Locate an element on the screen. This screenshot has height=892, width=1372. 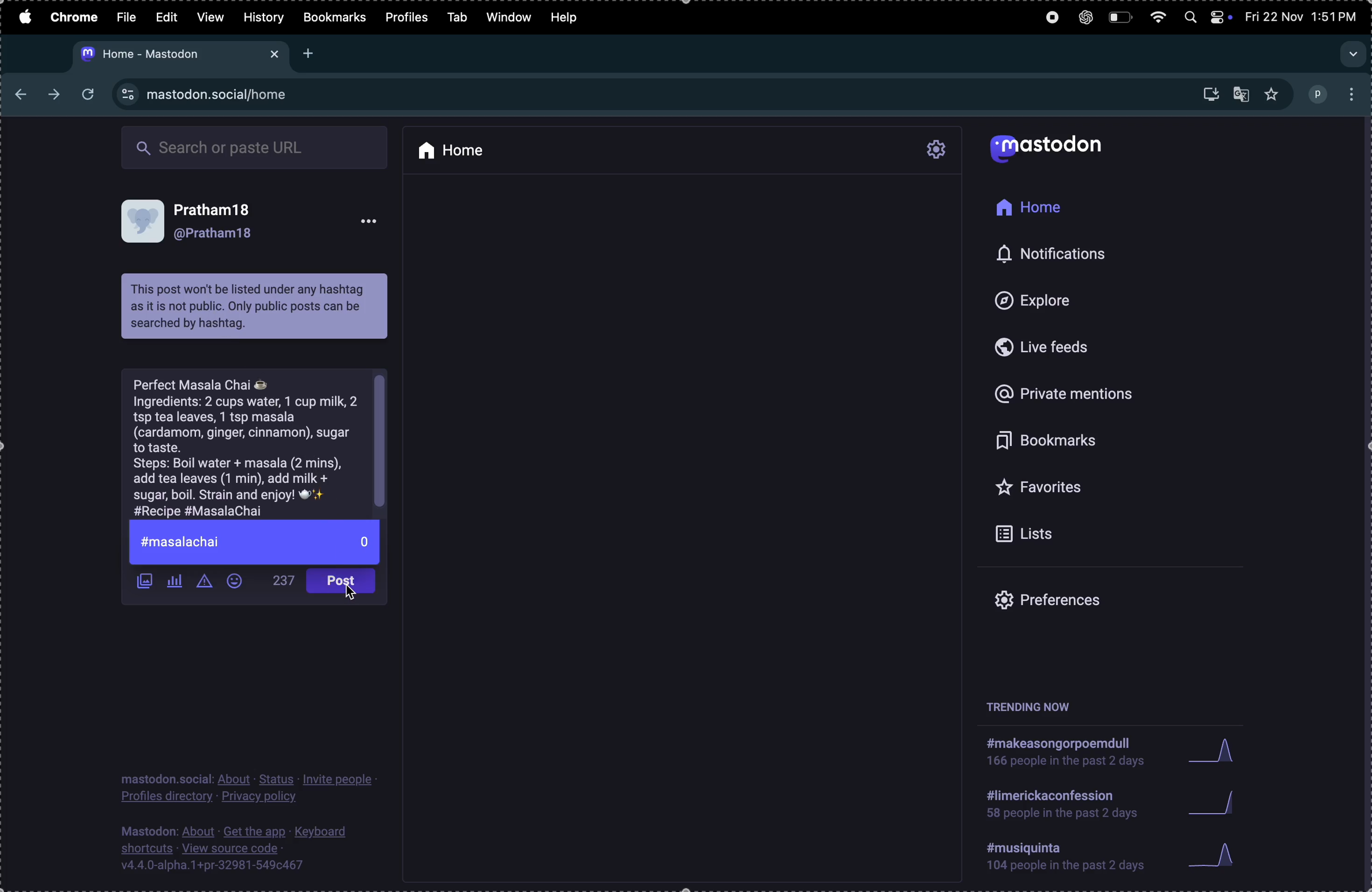
hashtag is located at coordinates (1066, 806).